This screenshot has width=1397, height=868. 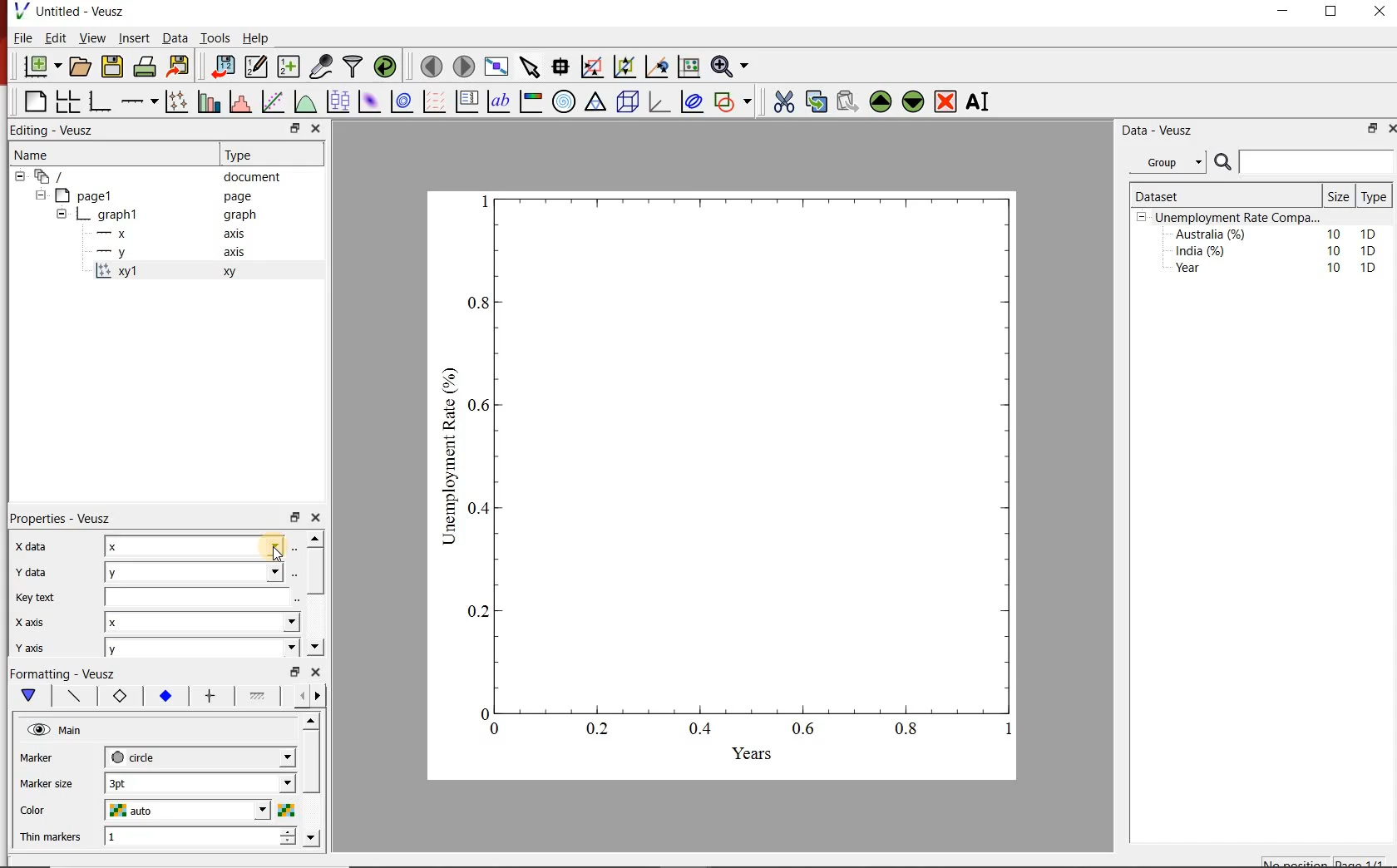 What do you see at coordinates (733, 101) in the screenshot?
I see `add a shapes` at bounding box center [733, 101].